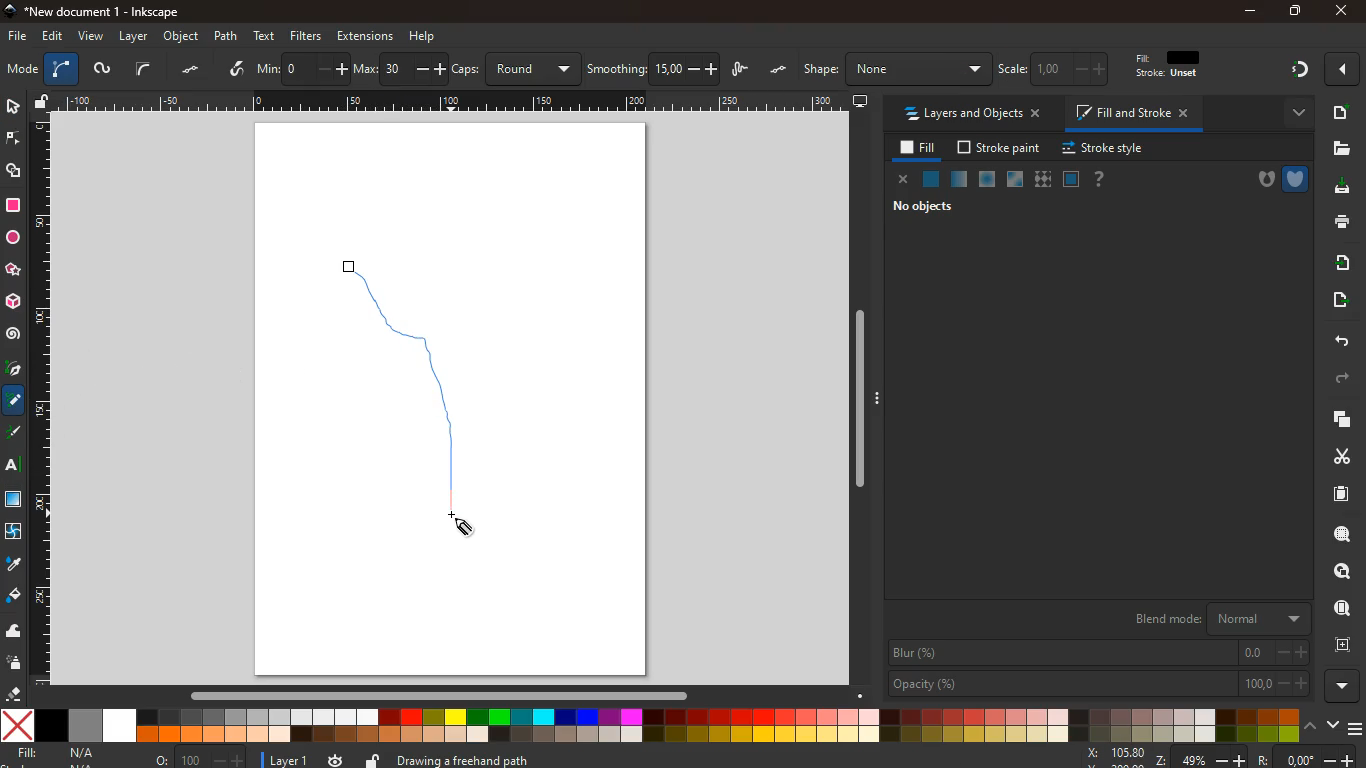 The height and width of the screenshot is (768, 1366). Describe the element at coordinates (989, 180) in the screenshot. I see `ice` at that location.